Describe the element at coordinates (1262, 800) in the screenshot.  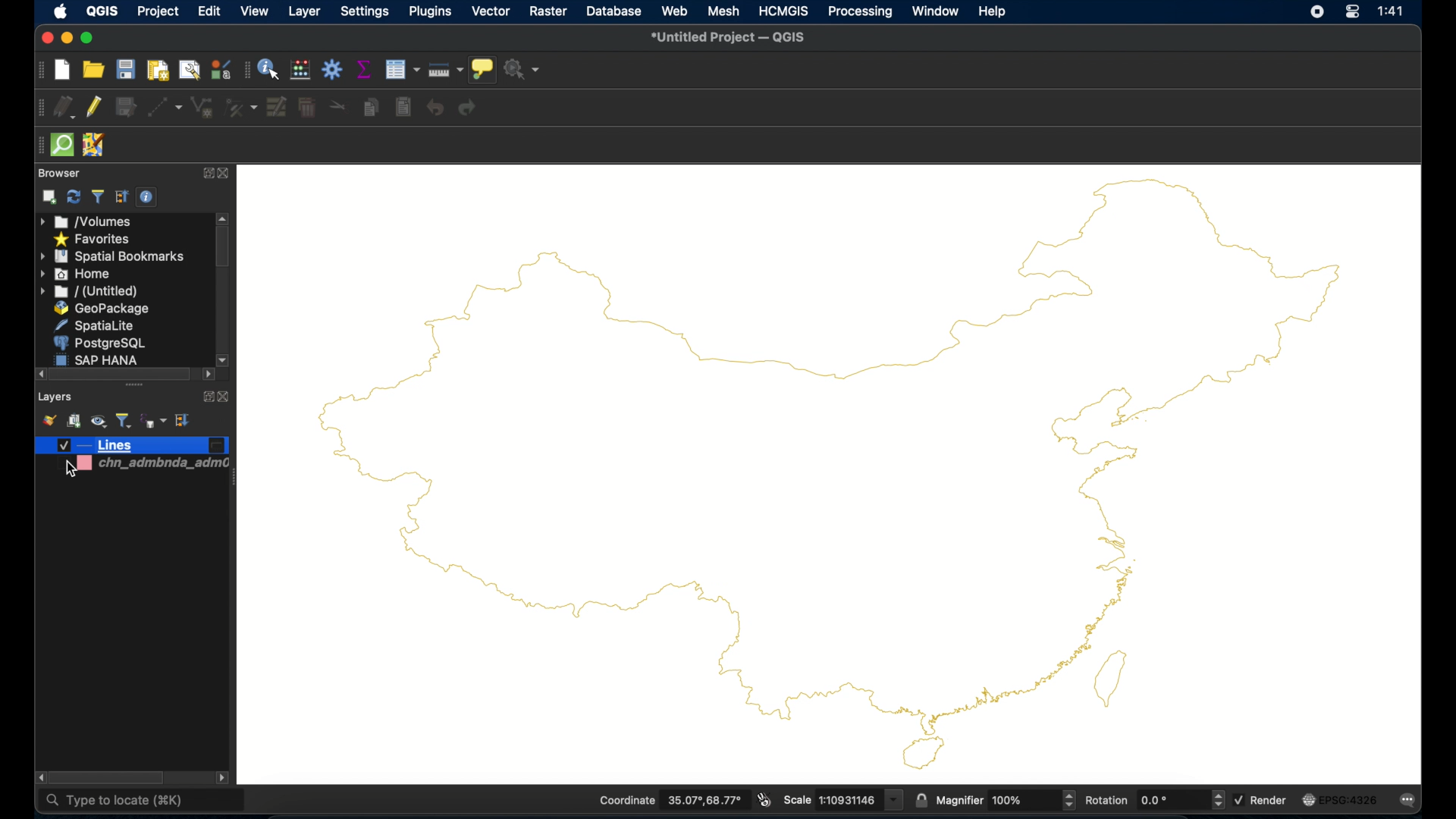
I see `render` at that location.